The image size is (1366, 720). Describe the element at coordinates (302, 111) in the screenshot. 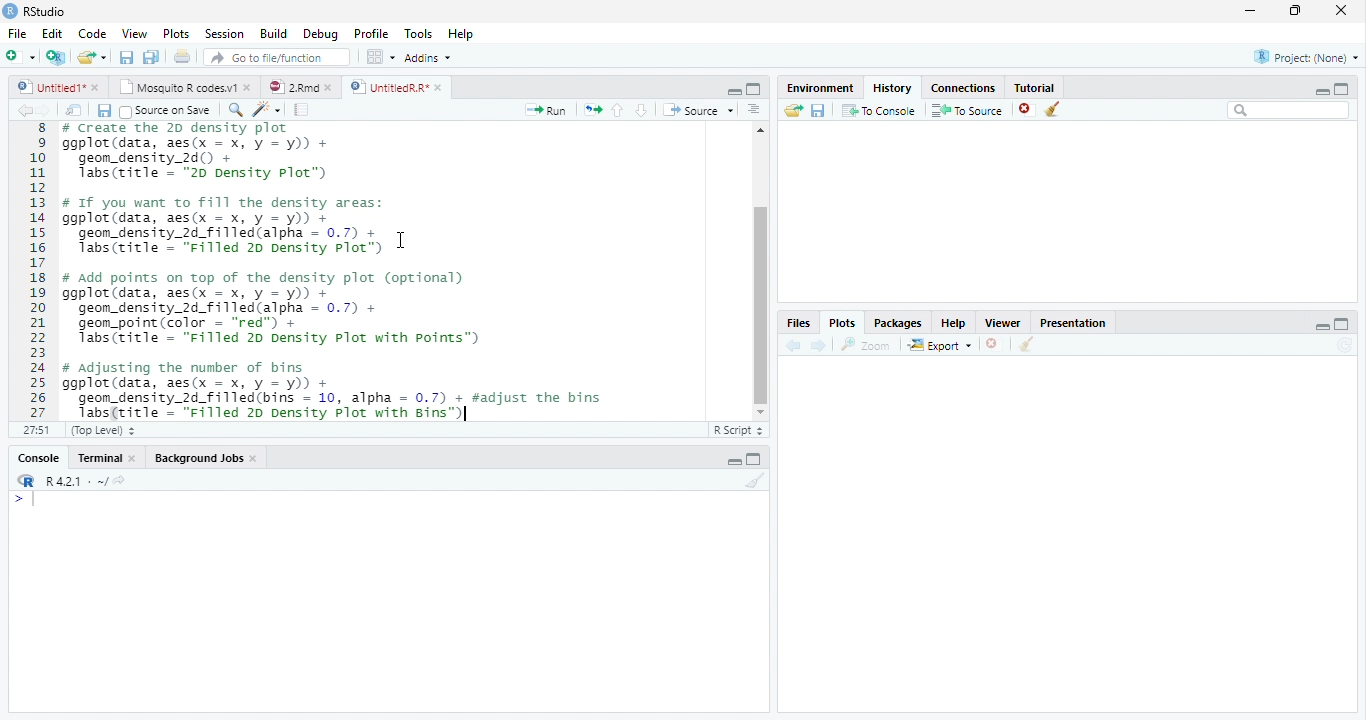

I see `compile report` at that location.